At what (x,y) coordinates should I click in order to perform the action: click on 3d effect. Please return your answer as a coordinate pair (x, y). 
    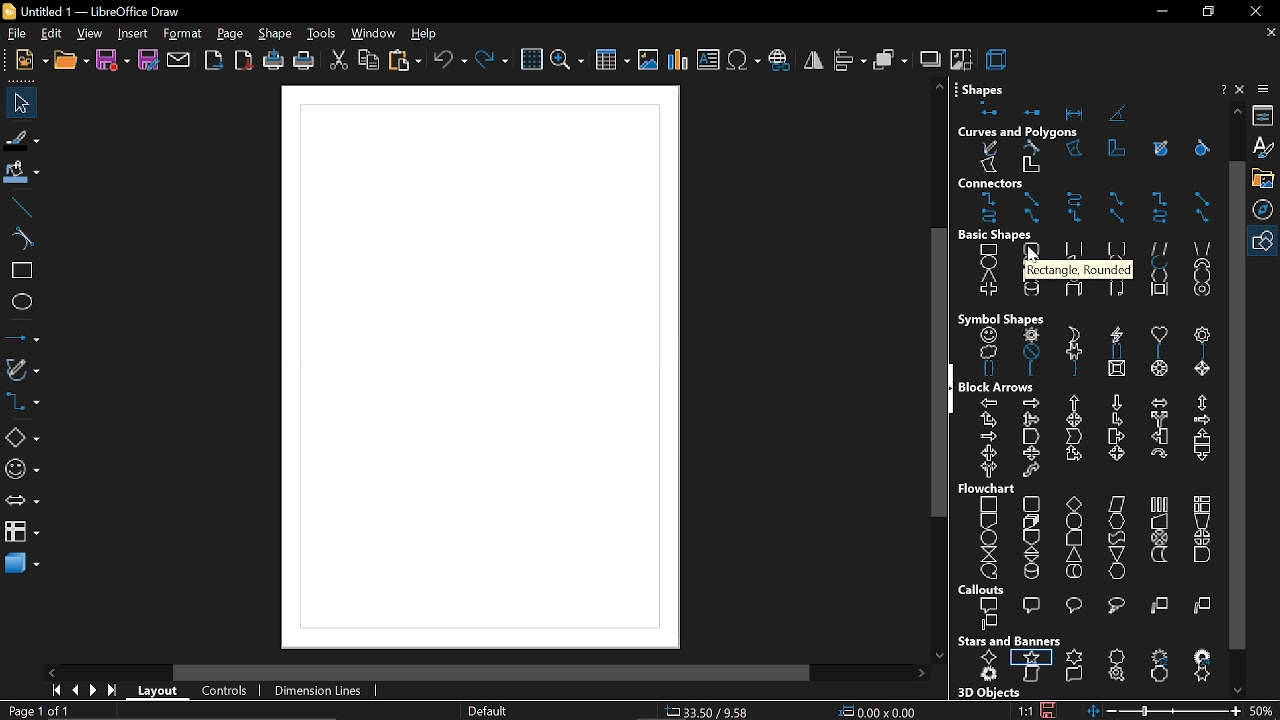
    Looking at the image, I should click on (998, 58).